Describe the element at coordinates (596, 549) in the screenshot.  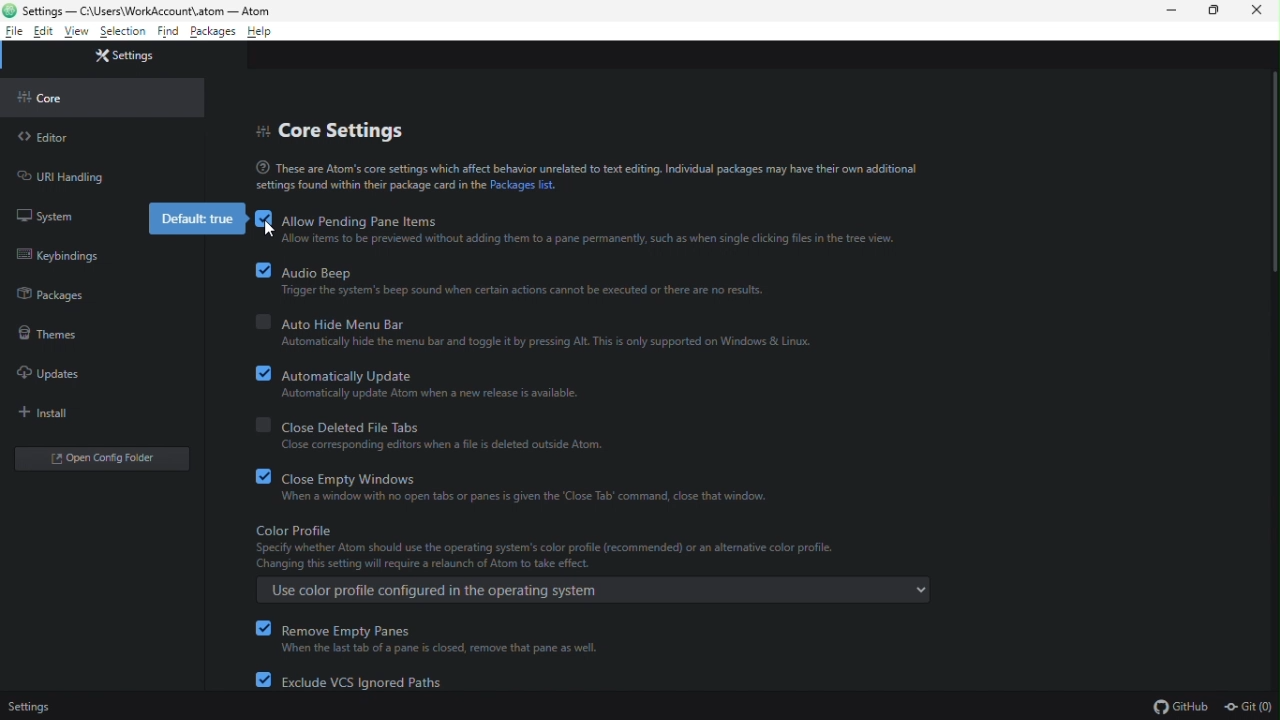
I see `color profile. Specify whether Atom should use the operating system's color profile (recommended) or an alternative profile.  Changing this setting will require a relaunch of Atom to take effect.` at that location.